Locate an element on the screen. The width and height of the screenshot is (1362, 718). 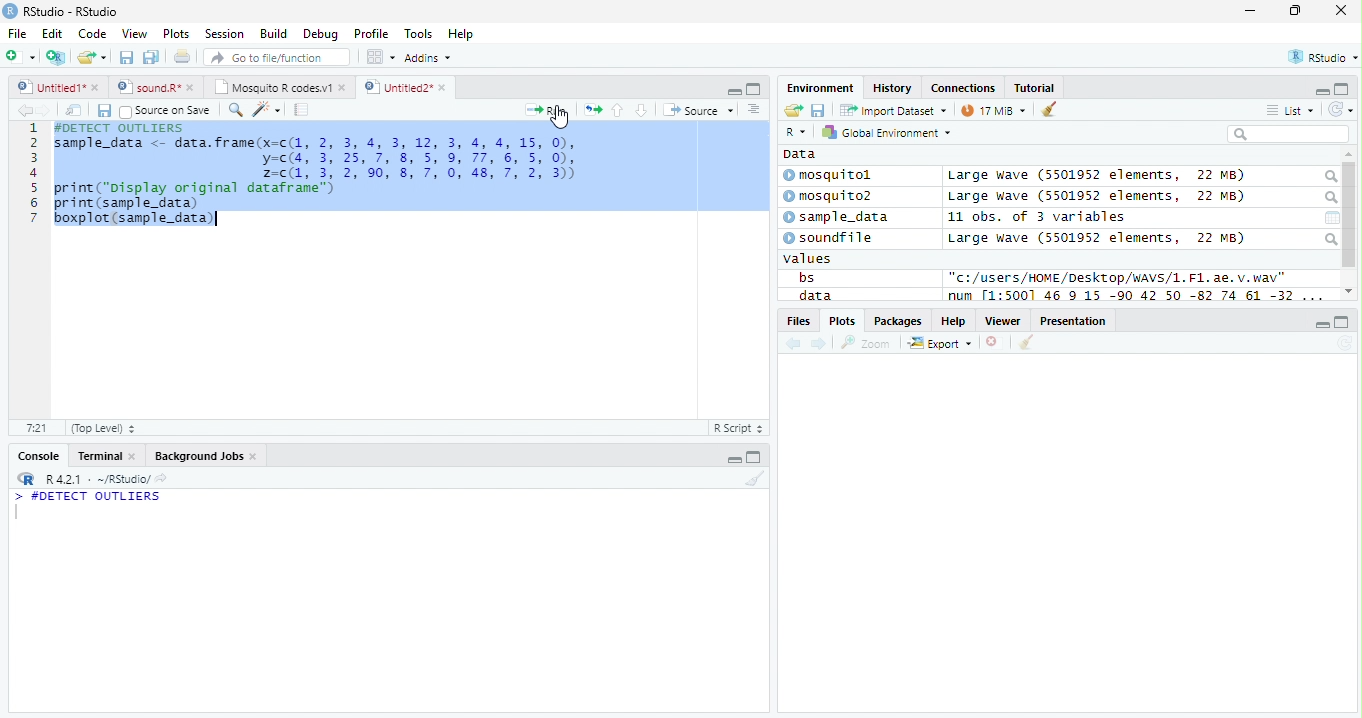
Go backward is located at coordinates (794, 345).